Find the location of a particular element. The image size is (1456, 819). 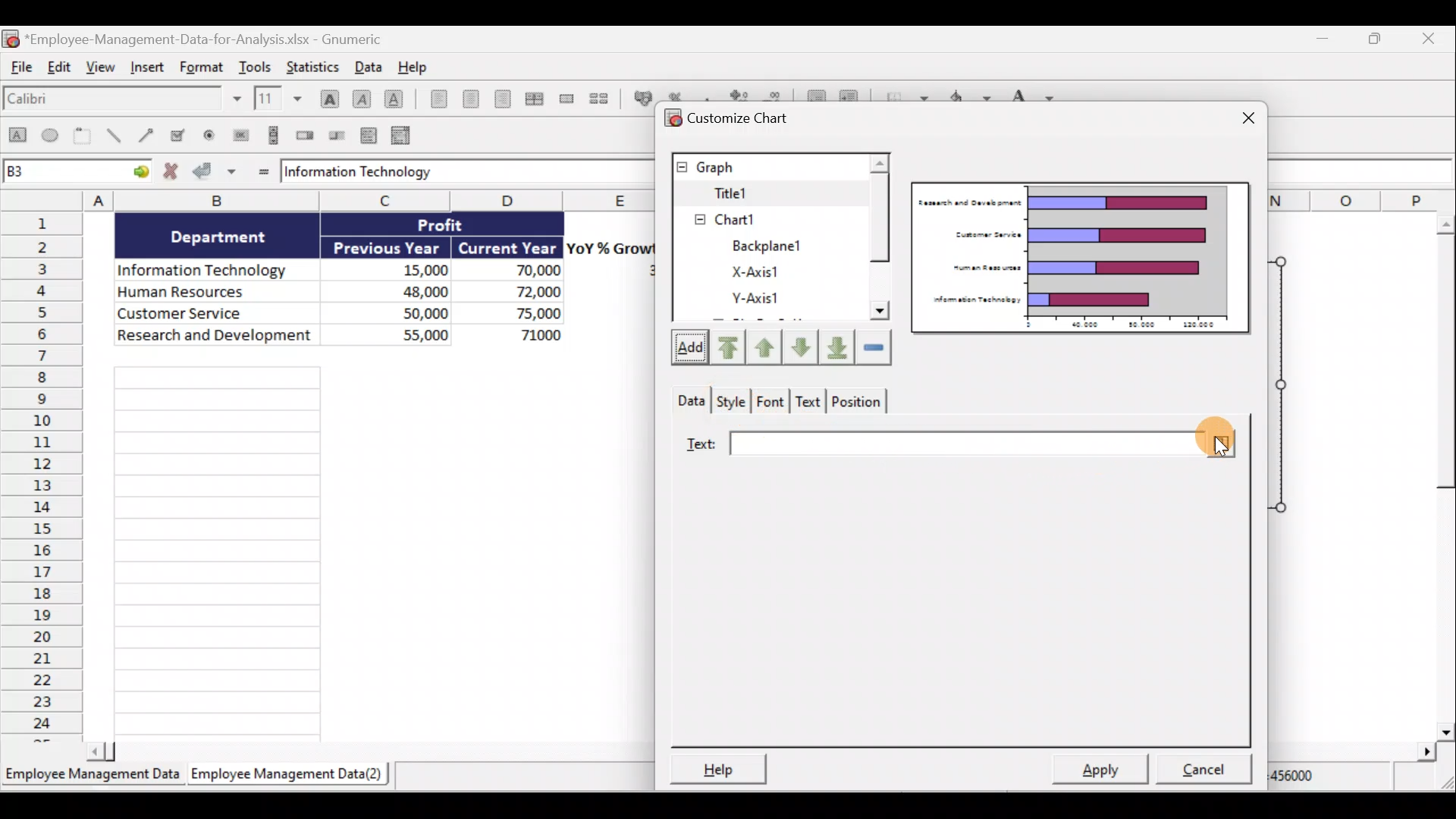

Create an ellipse object is located at coordinates (52, 137).